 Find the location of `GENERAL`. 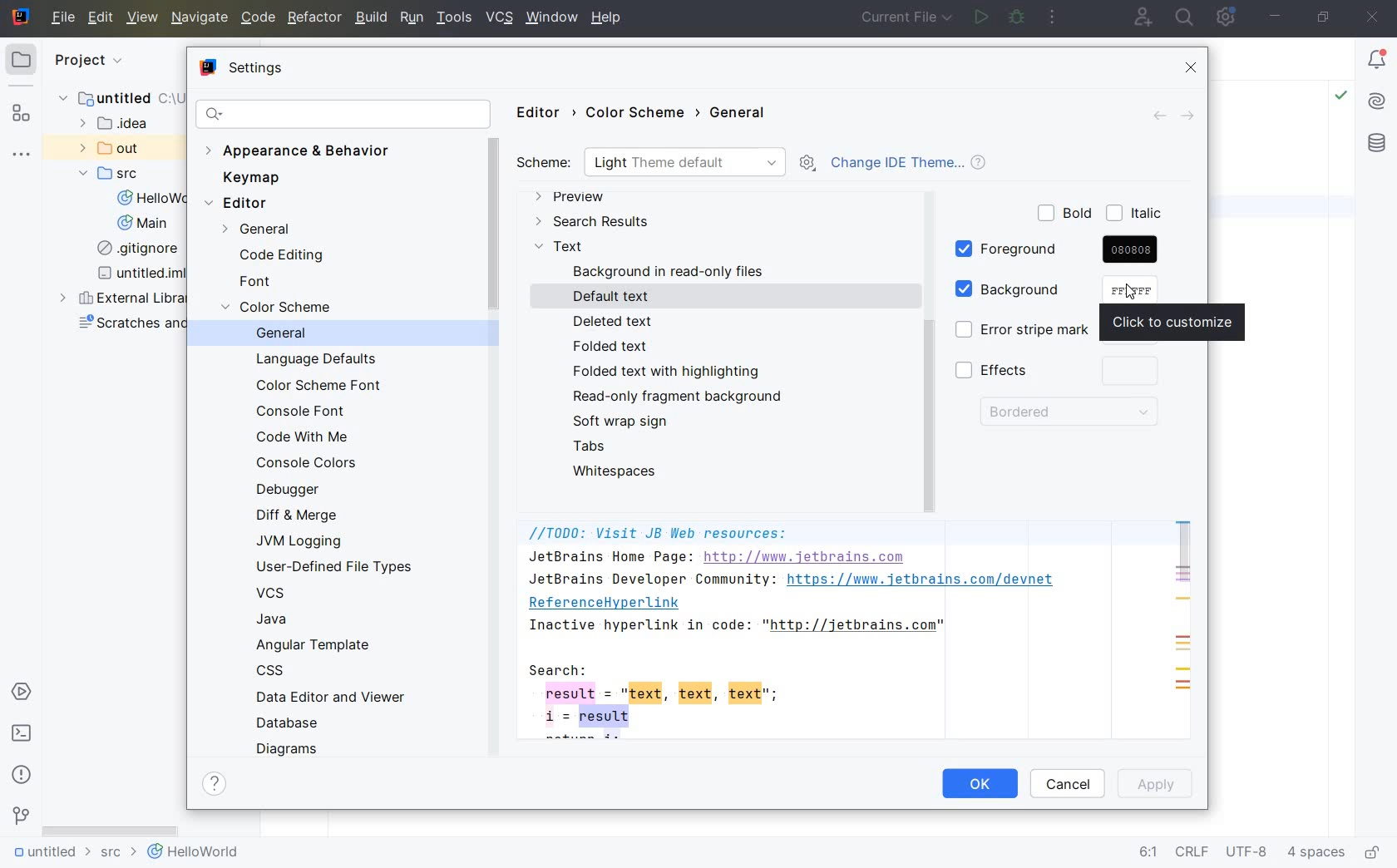

GENERAL is located at coordinates (249, 230).